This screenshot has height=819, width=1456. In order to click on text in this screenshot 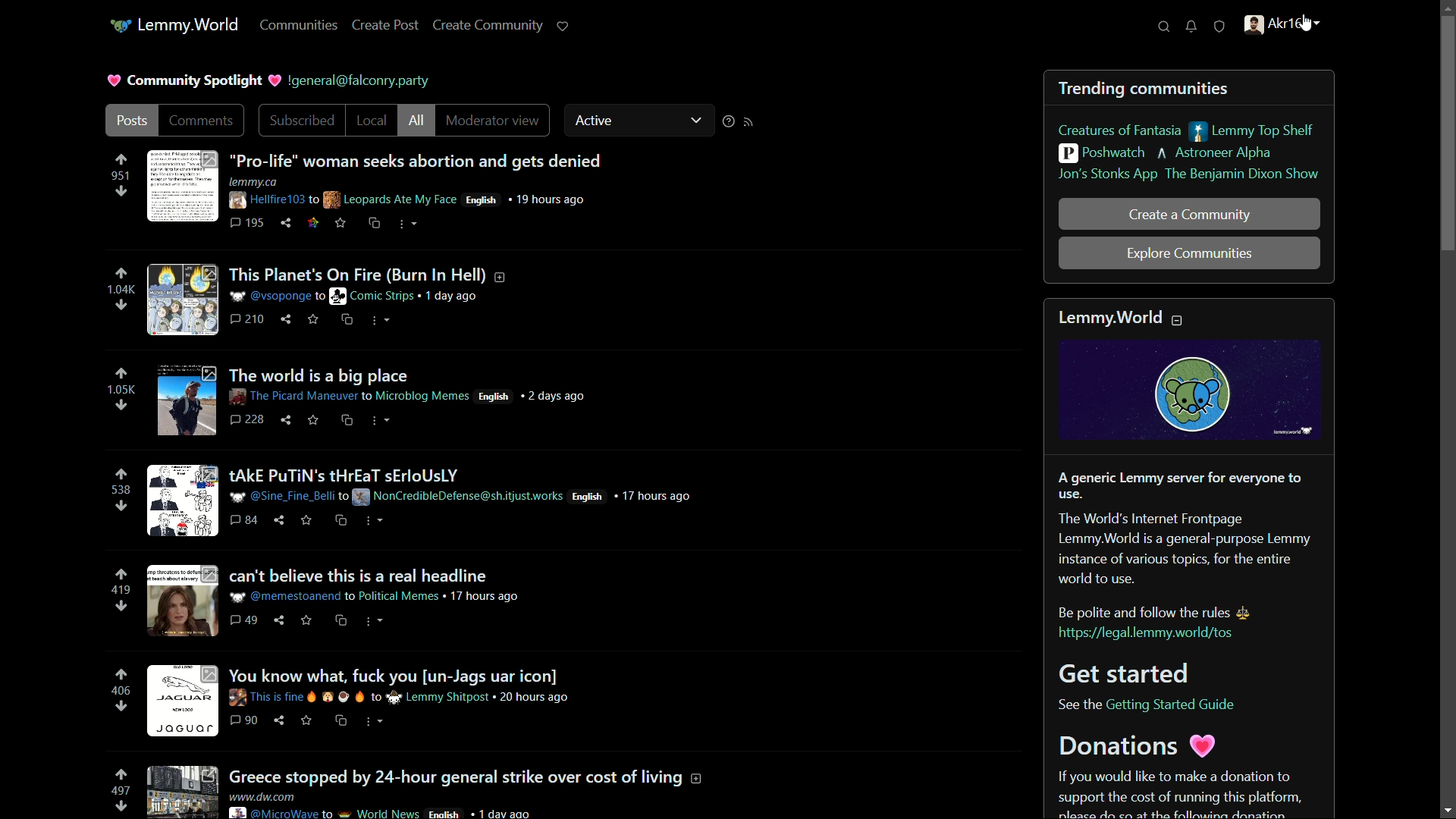, I will do `click(363, 83)`.